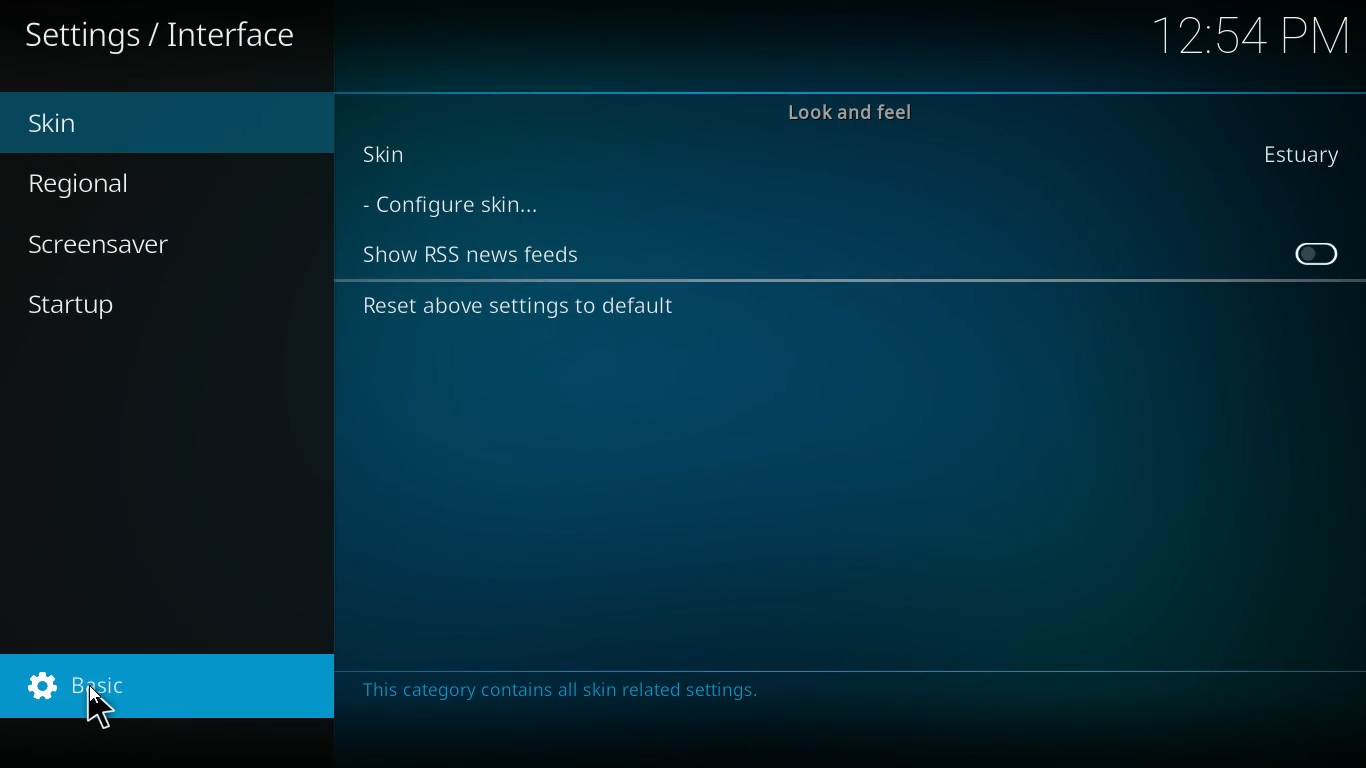 The height and width of the screenshot is (768, 1366). What do you see at coordinates (1310, 157) in the screenshot?
I see `skin` at bounding box center [1310, 157].